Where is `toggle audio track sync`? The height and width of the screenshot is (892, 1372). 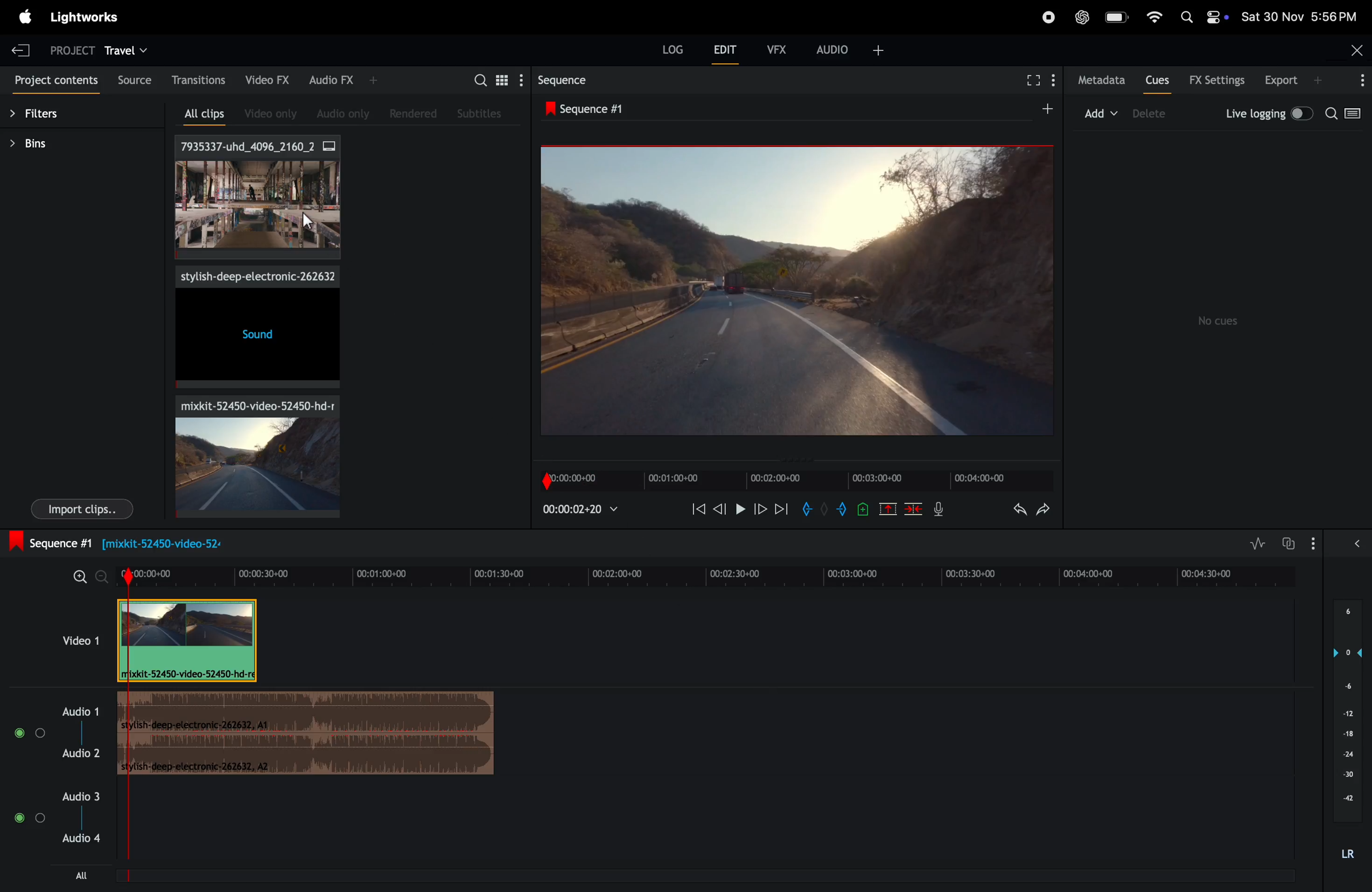
toggle audio track sync is located at coordinates (1291, 542).